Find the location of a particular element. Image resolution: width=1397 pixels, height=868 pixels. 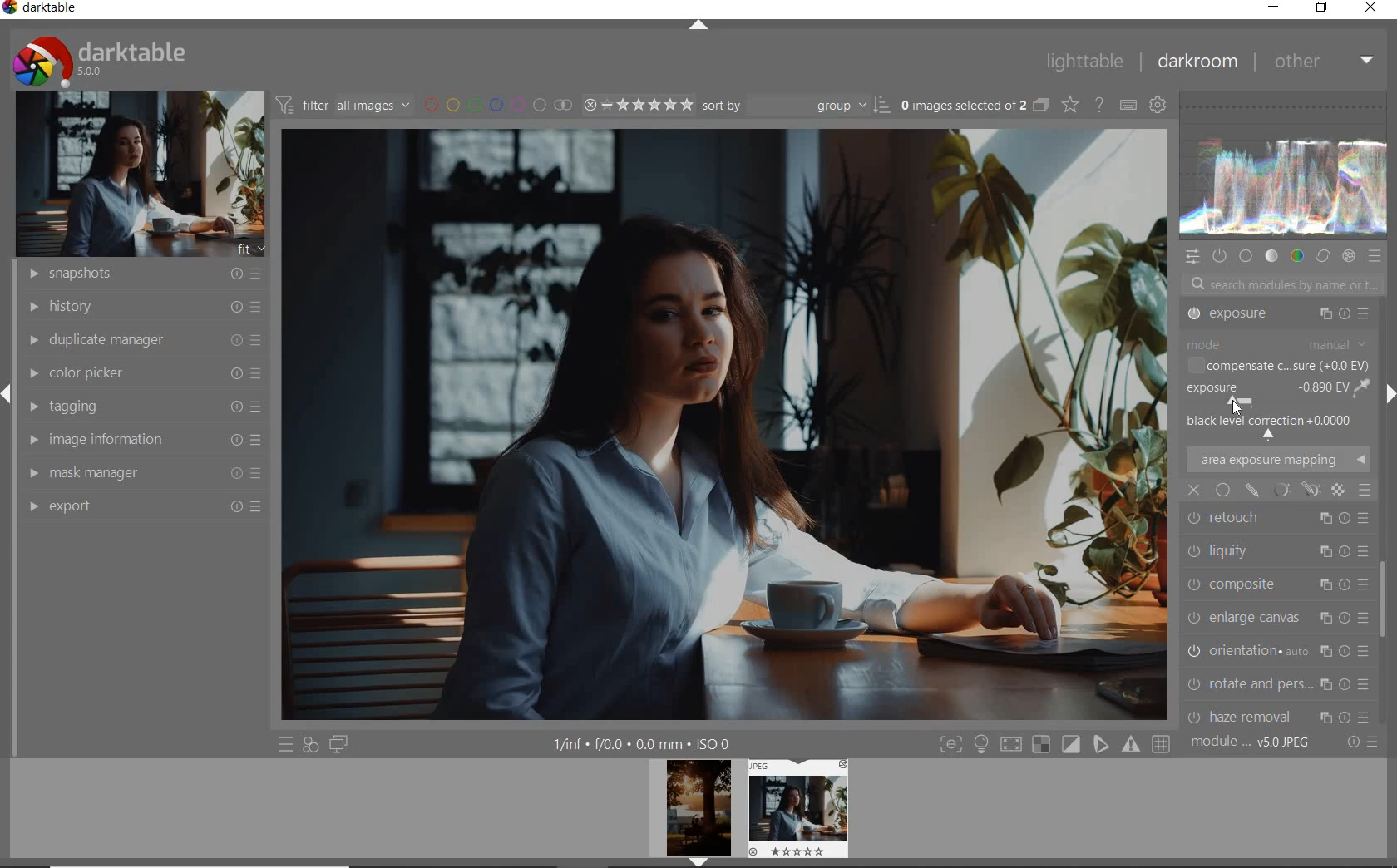

QUICK ACCESS FOR APPLYING ANY OF YOUR STYLES is located at coordinates (311, 745).